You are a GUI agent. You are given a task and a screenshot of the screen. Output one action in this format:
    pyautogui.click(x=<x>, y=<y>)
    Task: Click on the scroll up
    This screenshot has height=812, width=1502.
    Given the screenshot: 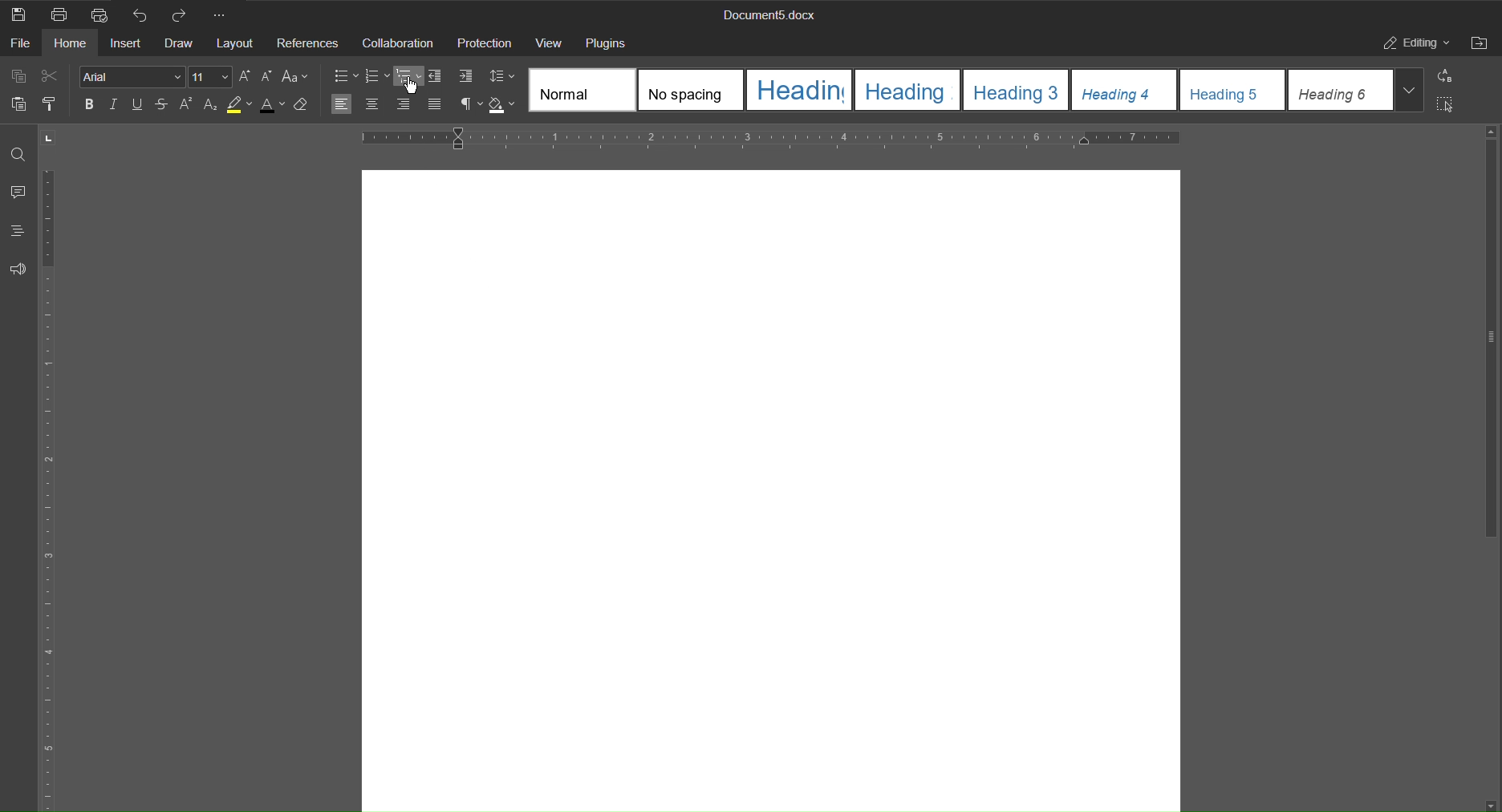 What is the action you would take?
    pyautogui.click(x=1491, y=132)
    